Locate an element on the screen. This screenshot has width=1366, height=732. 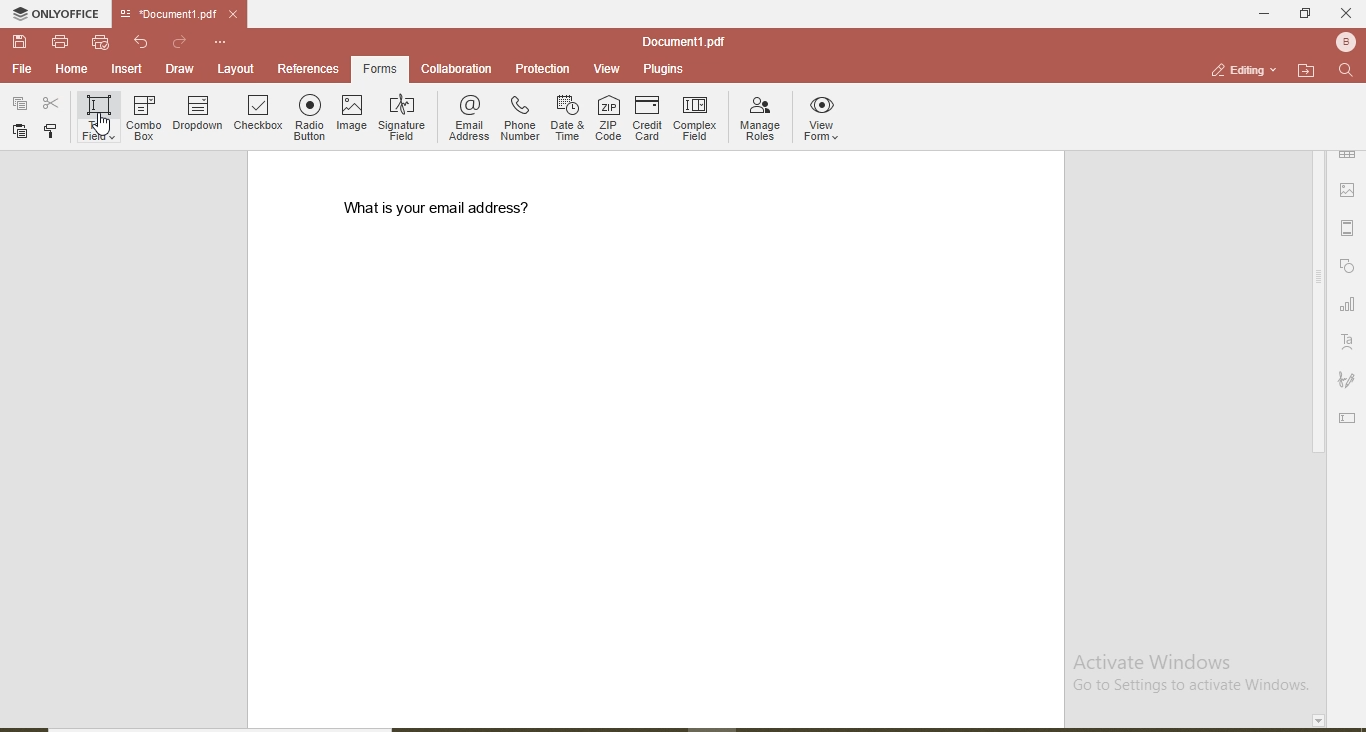
view forms is located at coordinates (825, 121).